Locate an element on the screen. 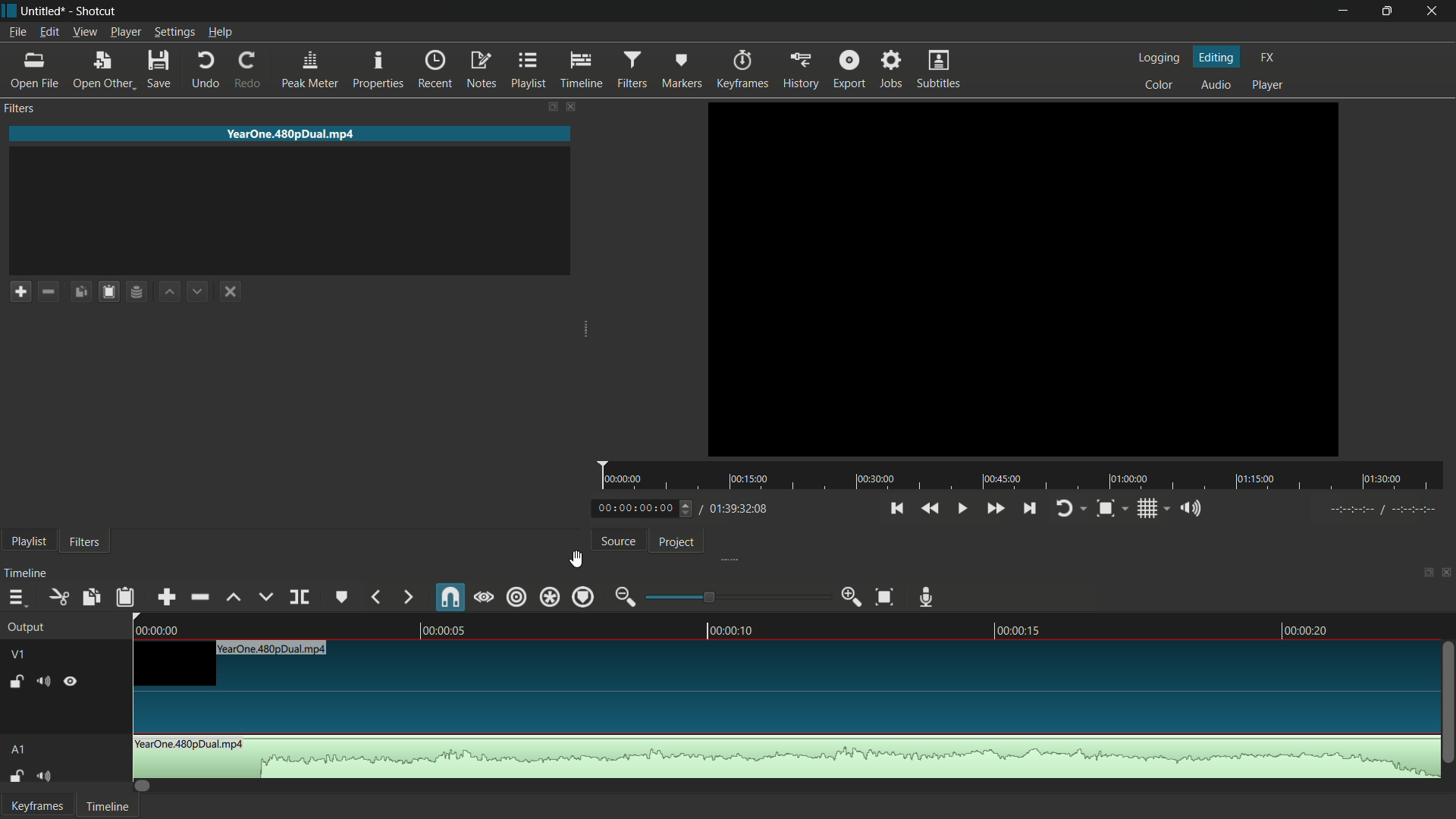 This screenshot has width=1456, height=819. color is located at coordinates (1160, 83).